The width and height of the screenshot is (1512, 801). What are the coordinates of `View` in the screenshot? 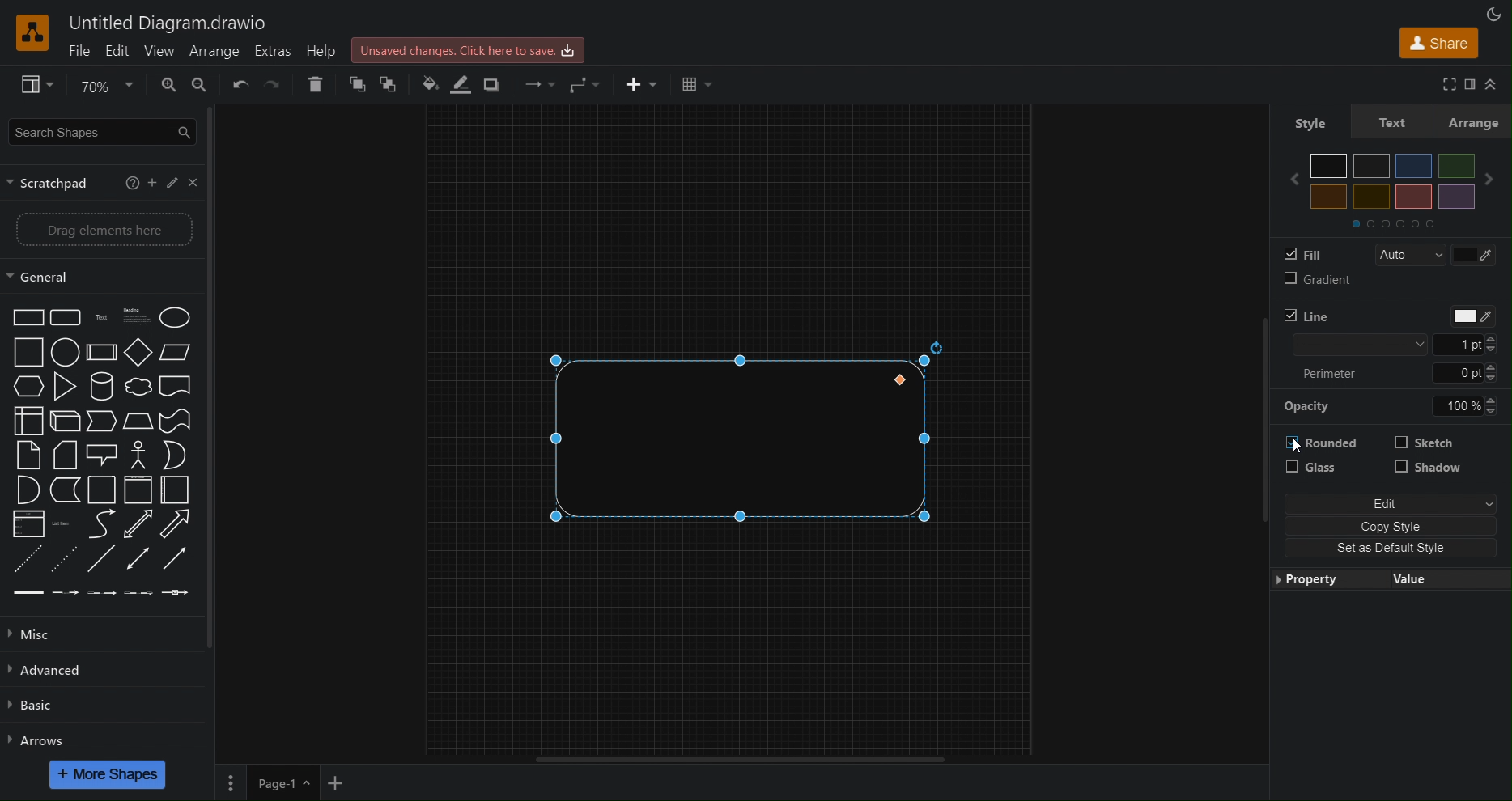 It's located at (29, 86).